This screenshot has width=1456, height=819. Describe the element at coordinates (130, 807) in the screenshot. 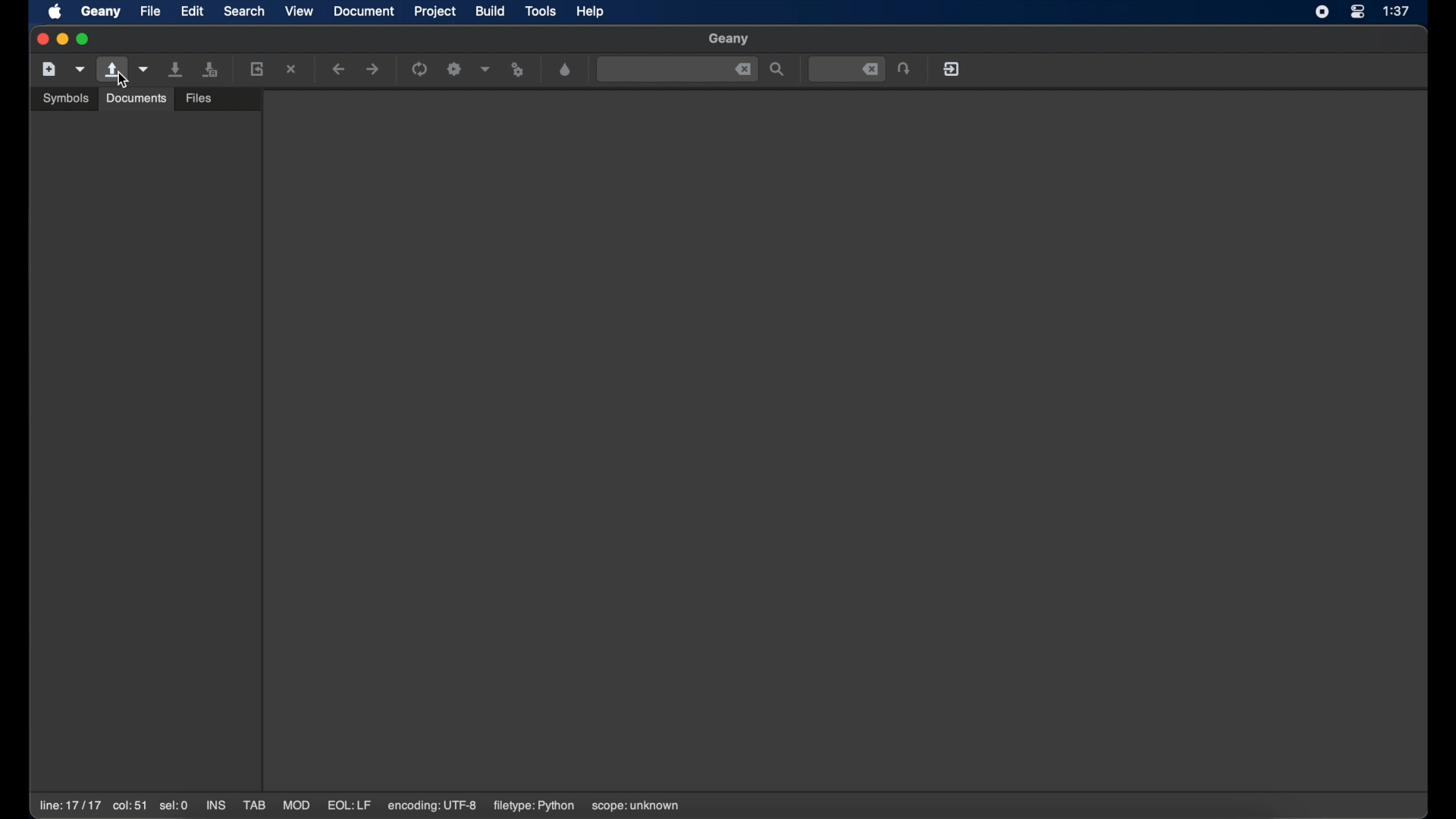

I see `col:51` at that location.